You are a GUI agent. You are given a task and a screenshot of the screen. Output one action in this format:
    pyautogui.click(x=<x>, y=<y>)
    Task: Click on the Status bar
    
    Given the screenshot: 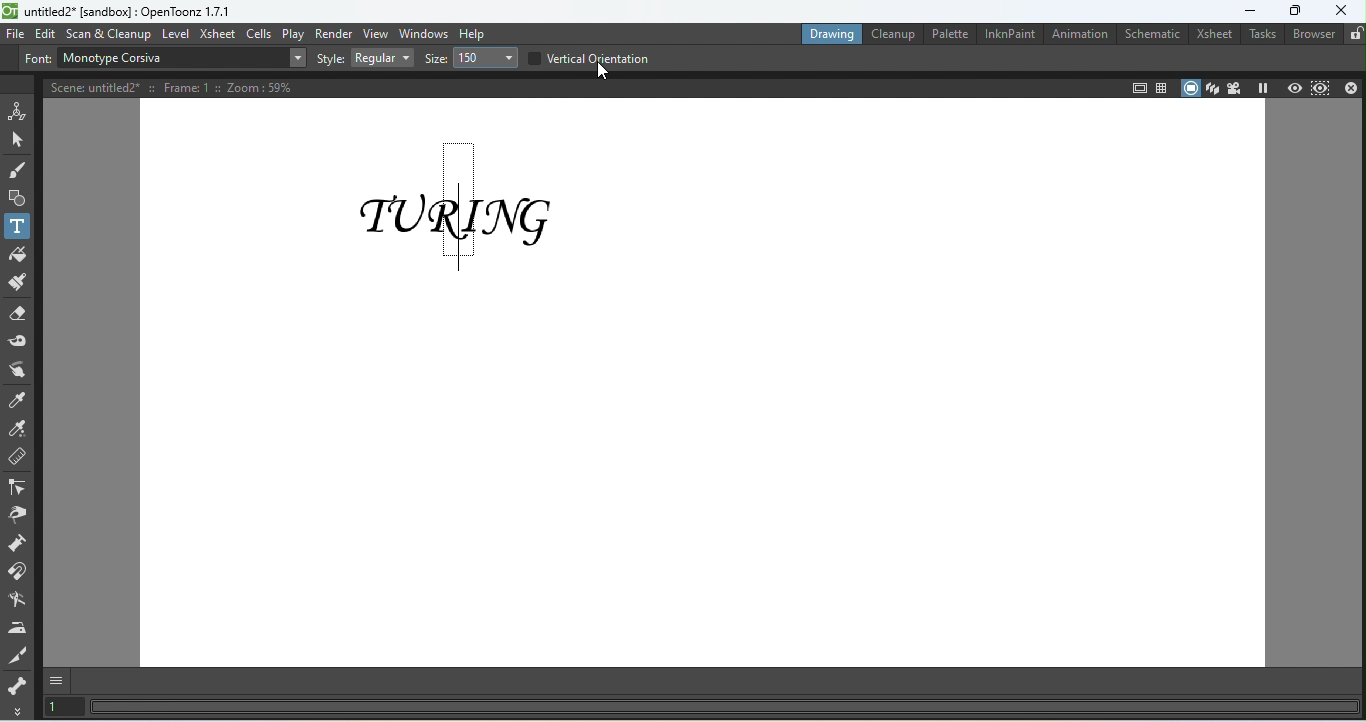 What is the action you would take?
    pyautogui.click(x=724, y=712)
    